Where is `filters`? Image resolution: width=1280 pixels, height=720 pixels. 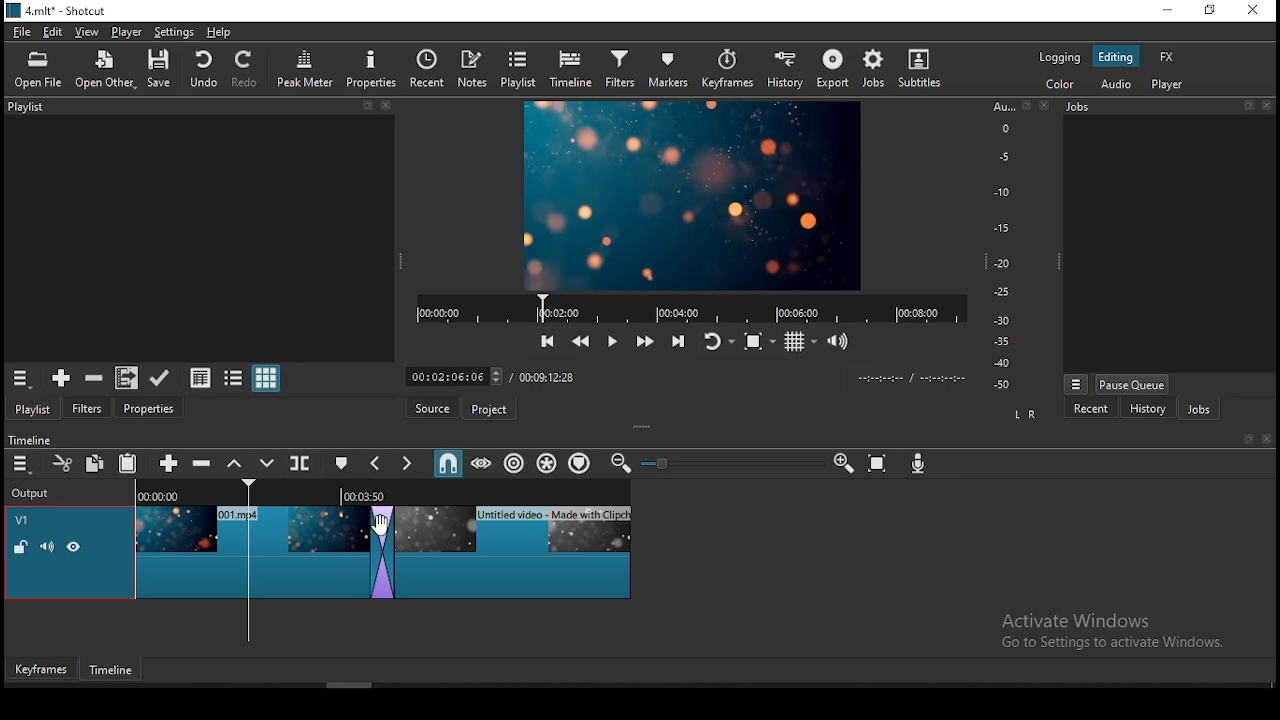
filters is located at coordinates (90, 406).